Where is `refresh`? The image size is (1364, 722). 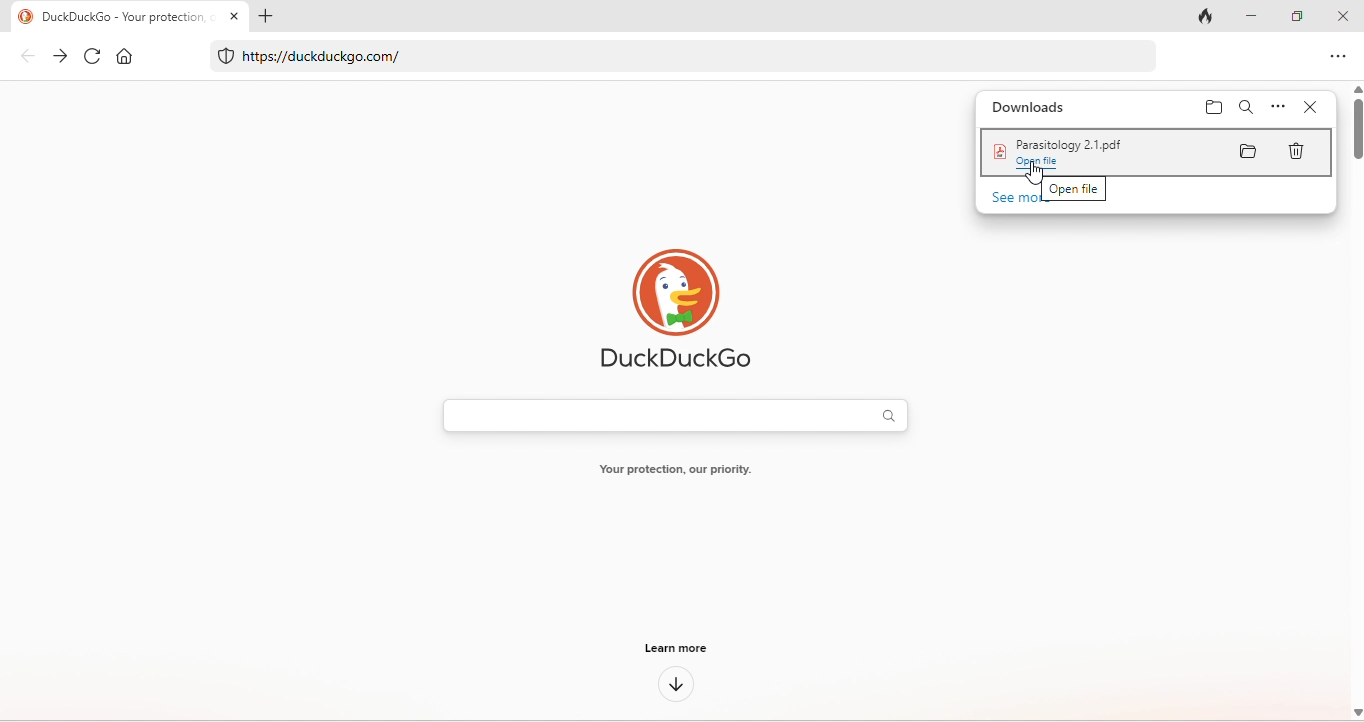
refresh is located at coordinates (91, 58).